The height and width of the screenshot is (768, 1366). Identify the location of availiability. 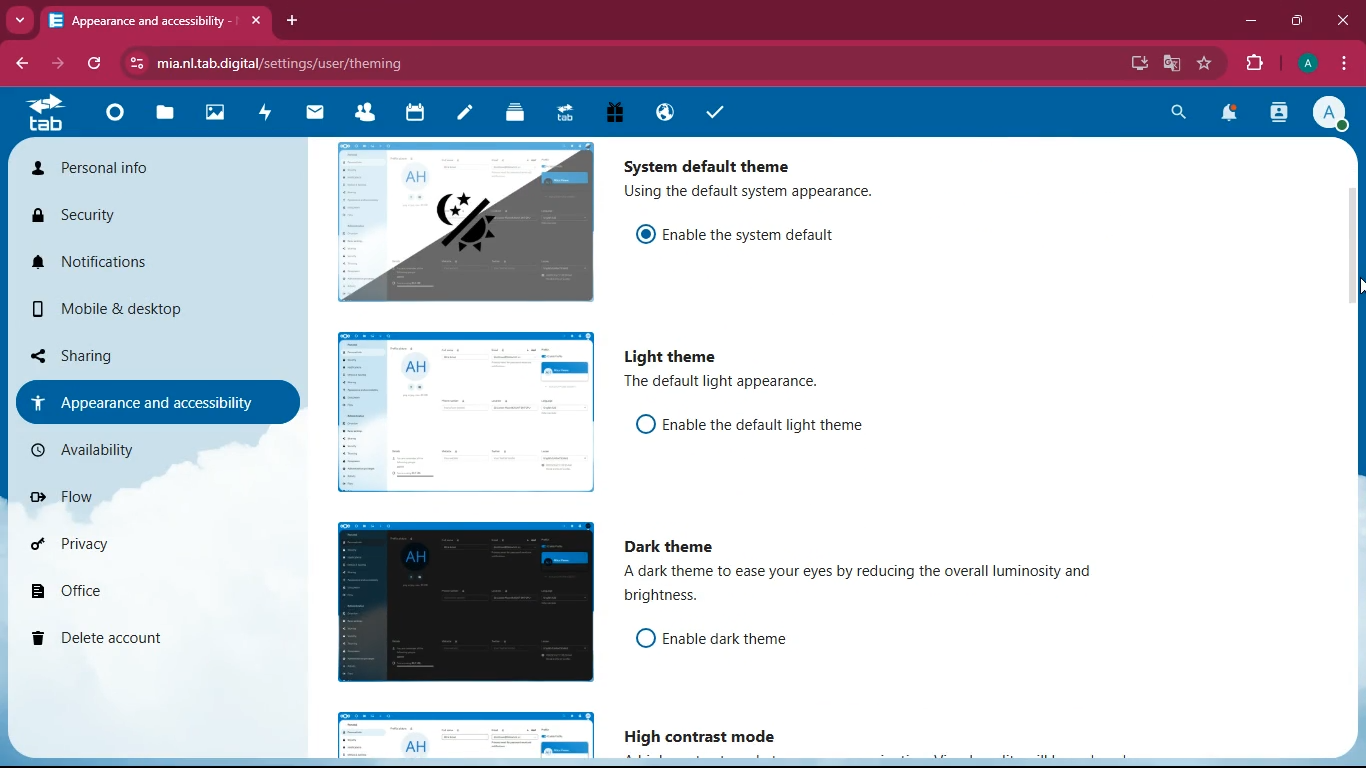
(131, 450).